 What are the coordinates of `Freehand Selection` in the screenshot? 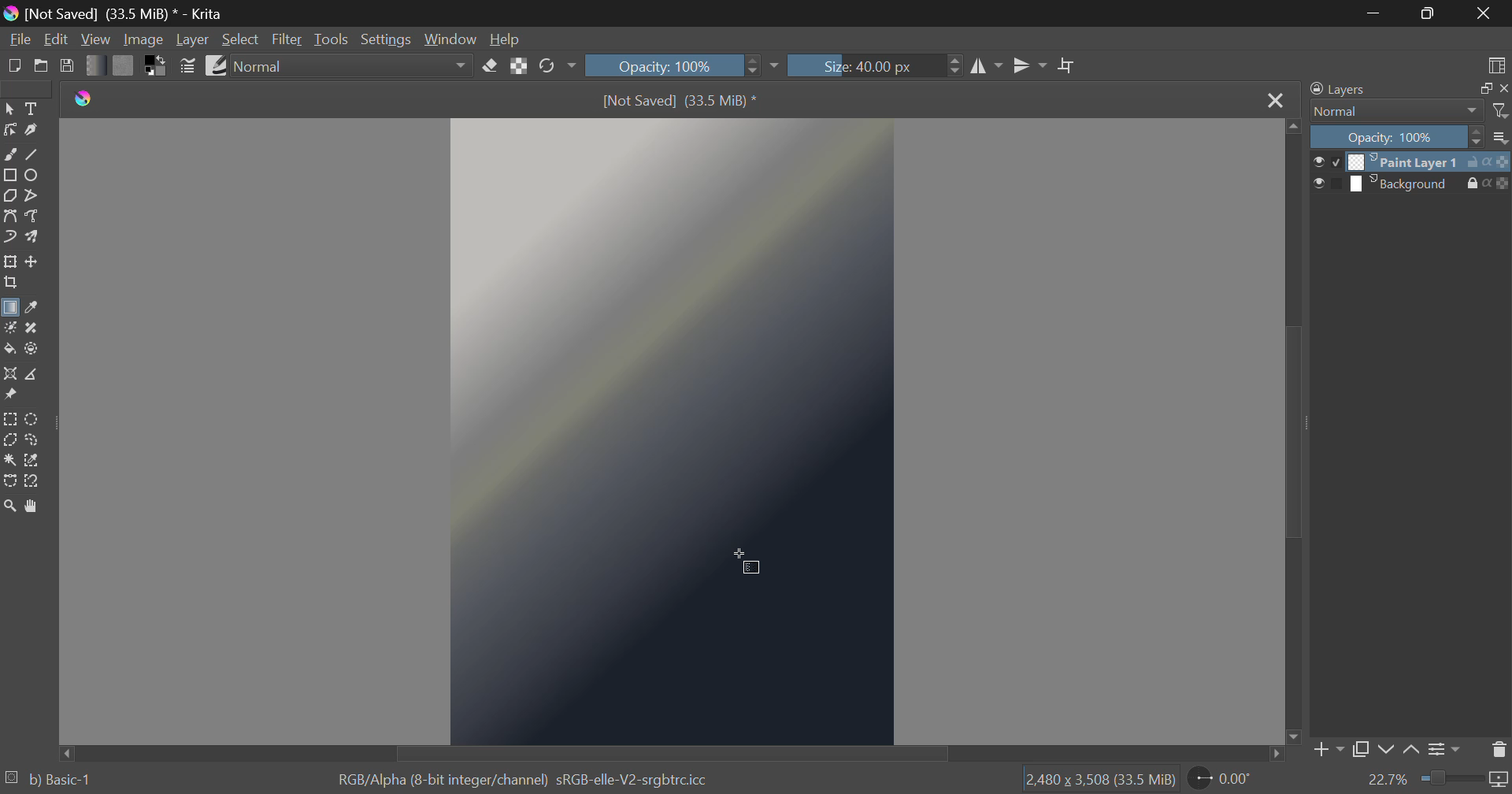 It's located at (32, 440).